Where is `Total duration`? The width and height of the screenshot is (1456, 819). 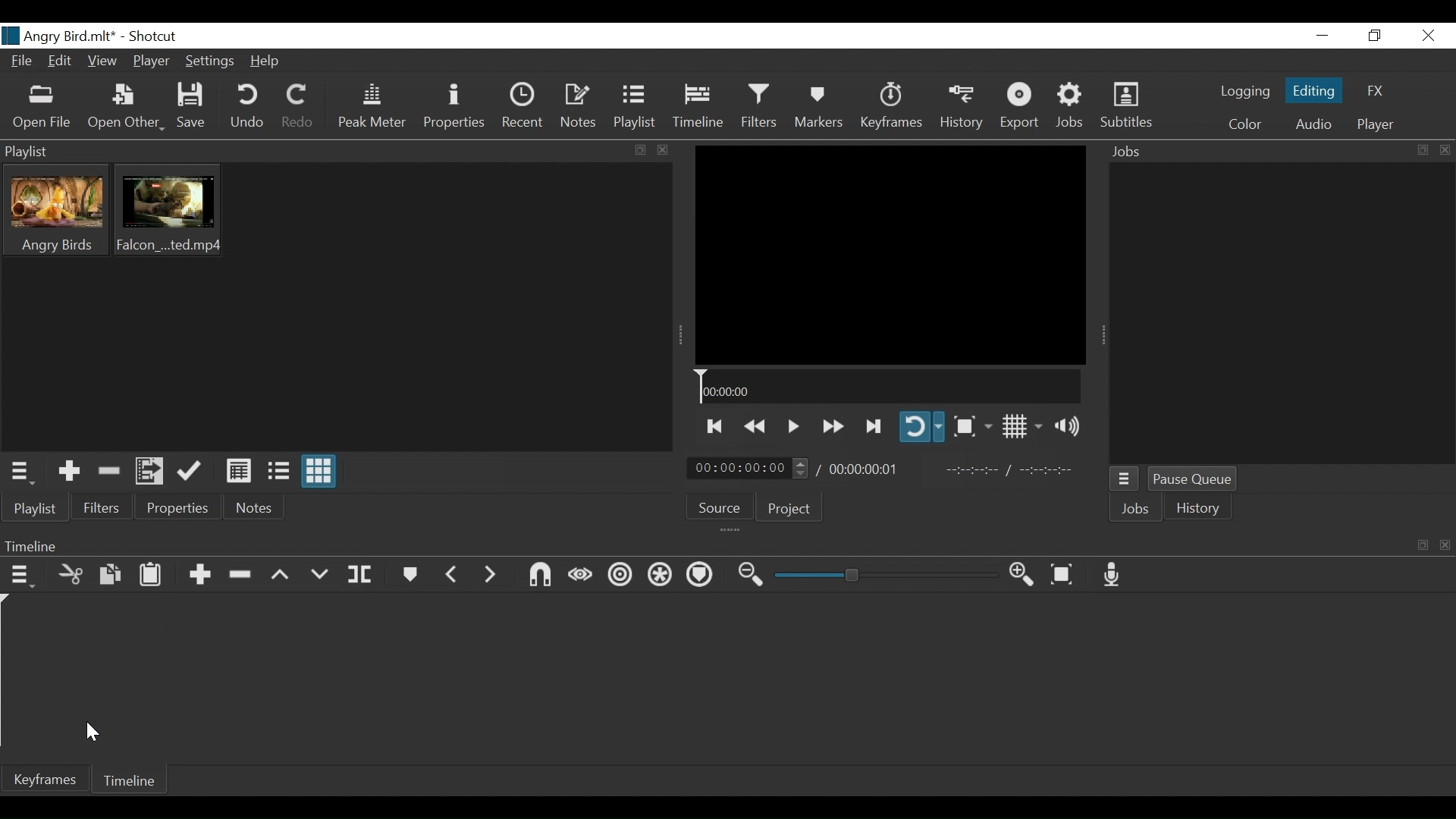
Total duration is located at coordinates (868, 469).